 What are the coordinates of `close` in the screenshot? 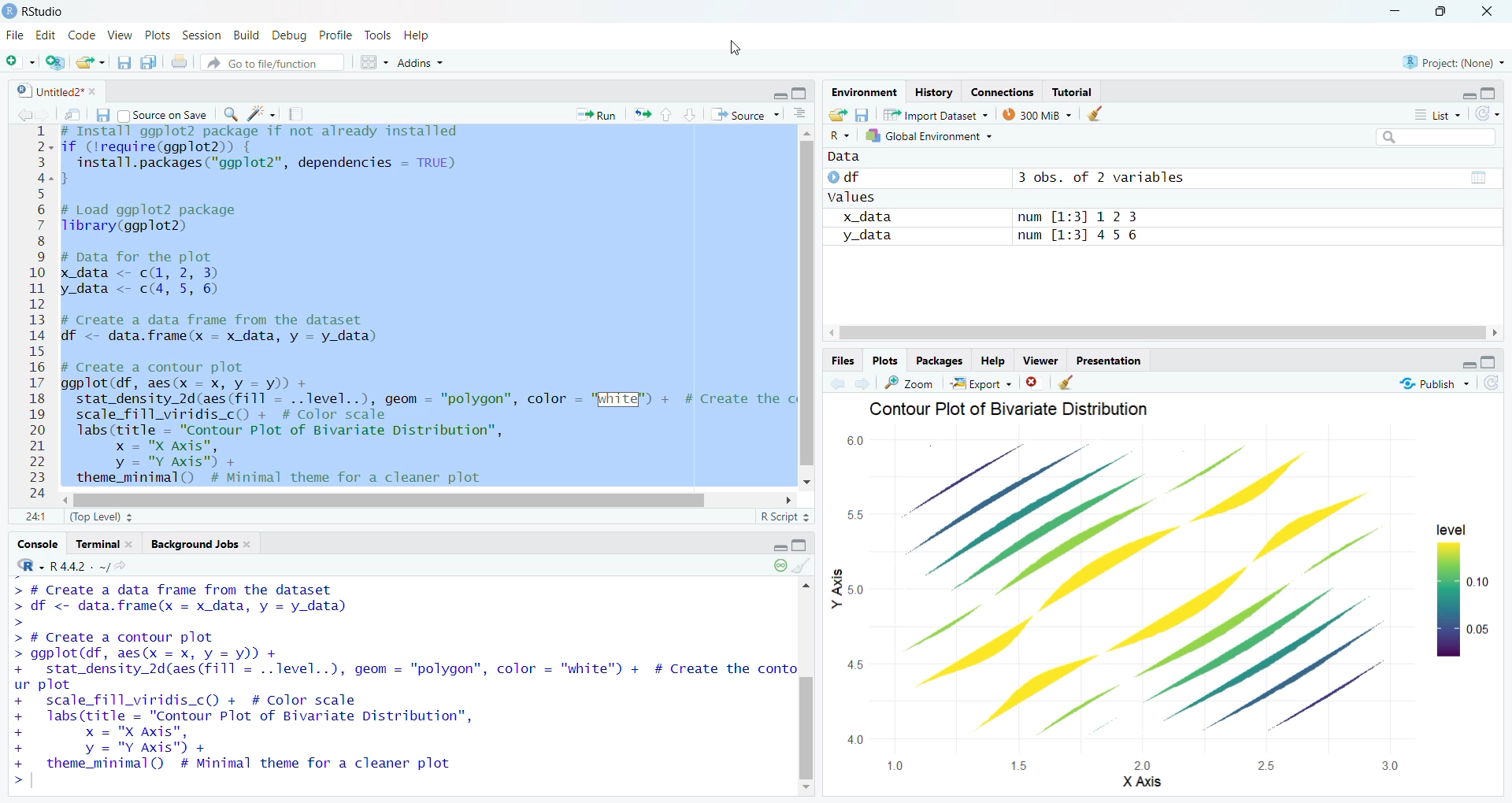 It's located at (1482, 13).